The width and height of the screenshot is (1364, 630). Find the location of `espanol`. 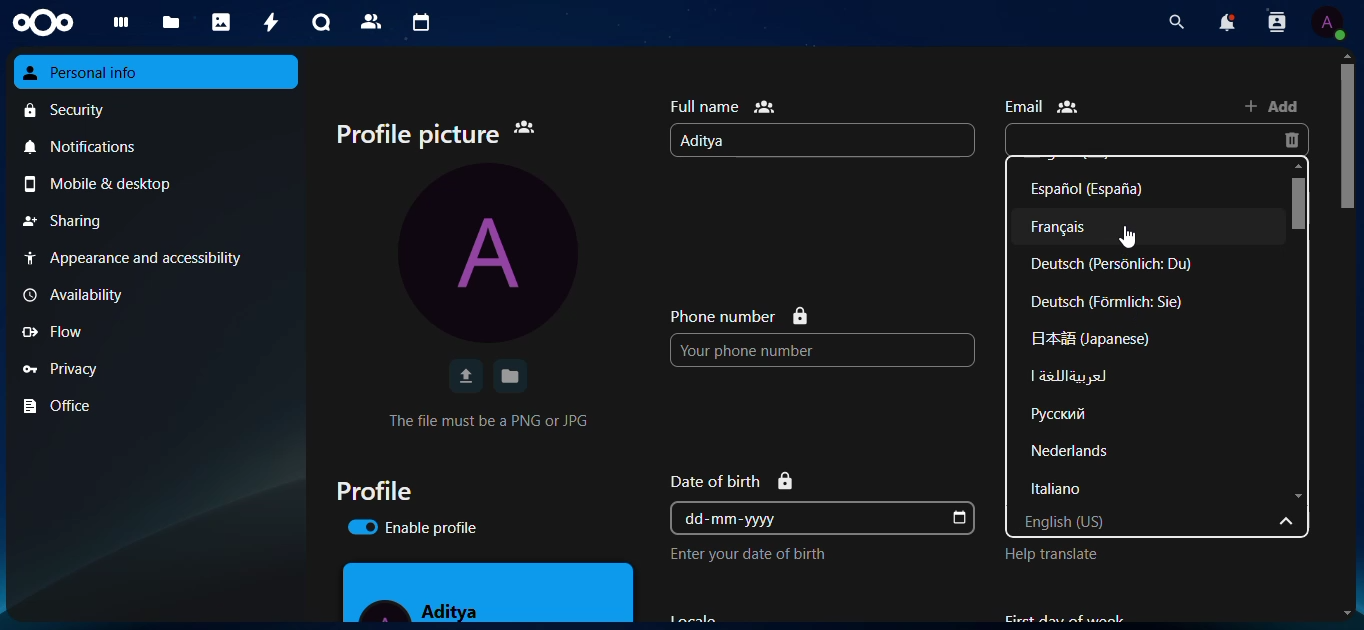

espanol is located at coordinates (1100, 188).